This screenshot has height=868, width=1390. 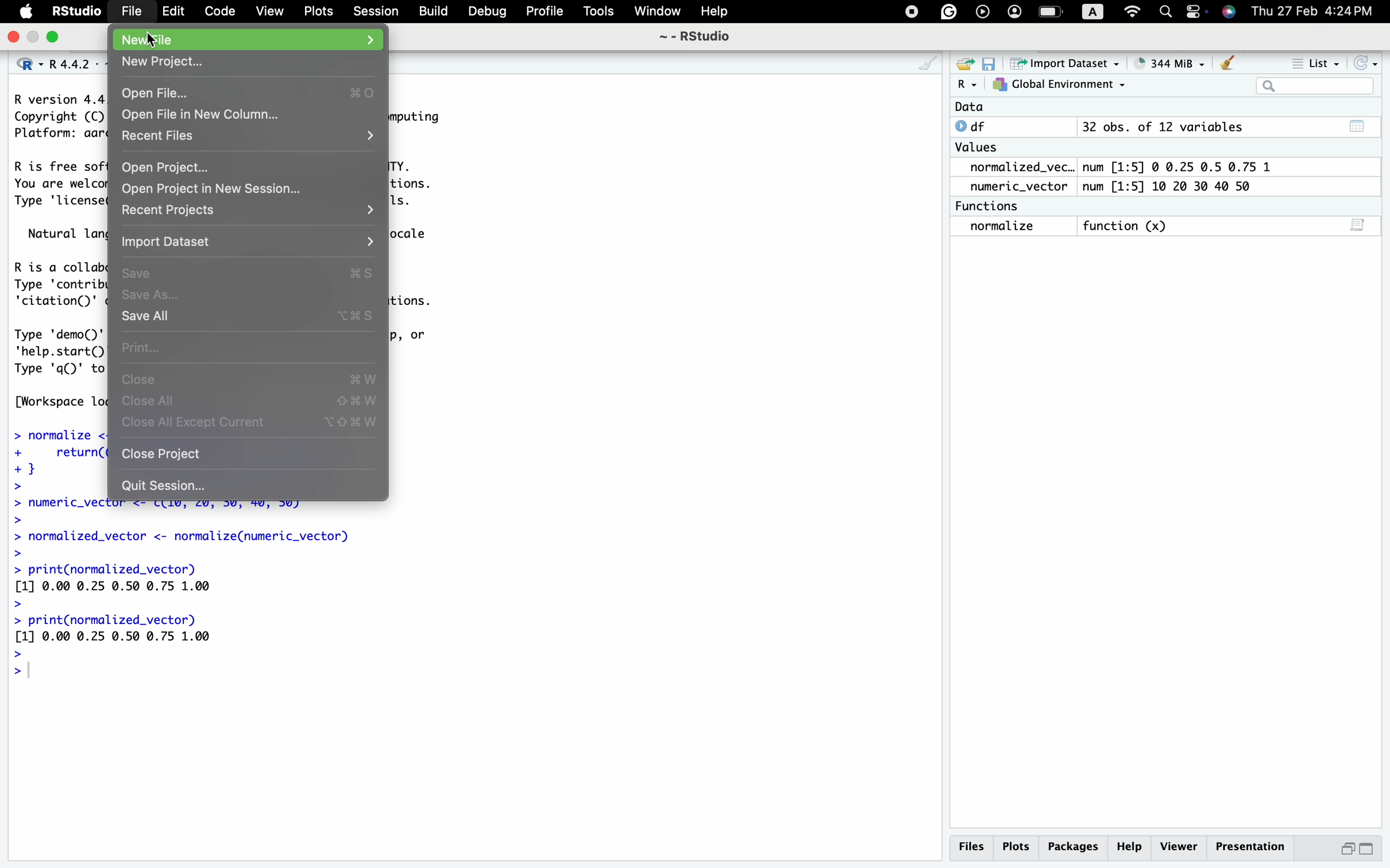 What do you see at coordinates (967, 65) in the screenshot?
I see `open file` at bounding box center [967, 65].